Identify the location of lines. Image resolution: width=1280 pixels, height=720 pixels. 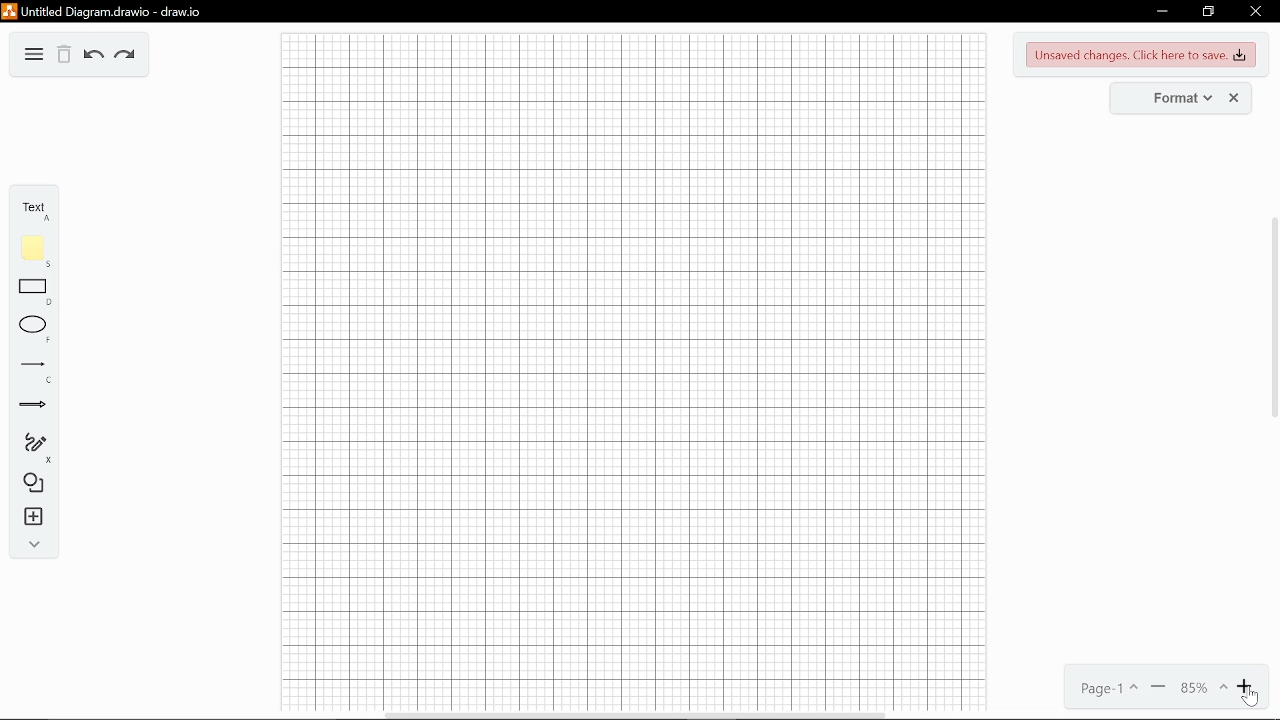
(28, 371).